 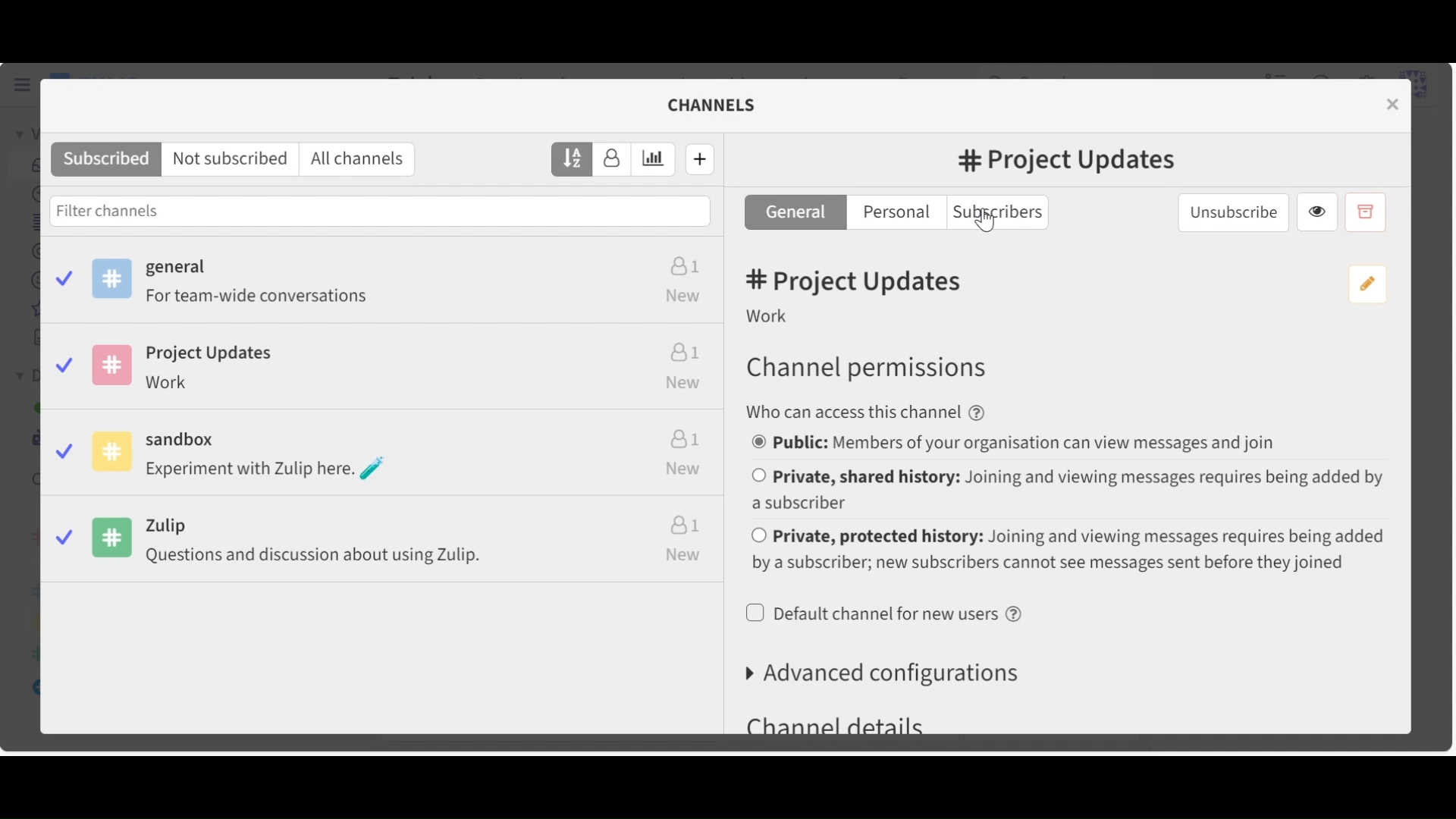 I want to click on Subscribers, so click(x=997, y=213).